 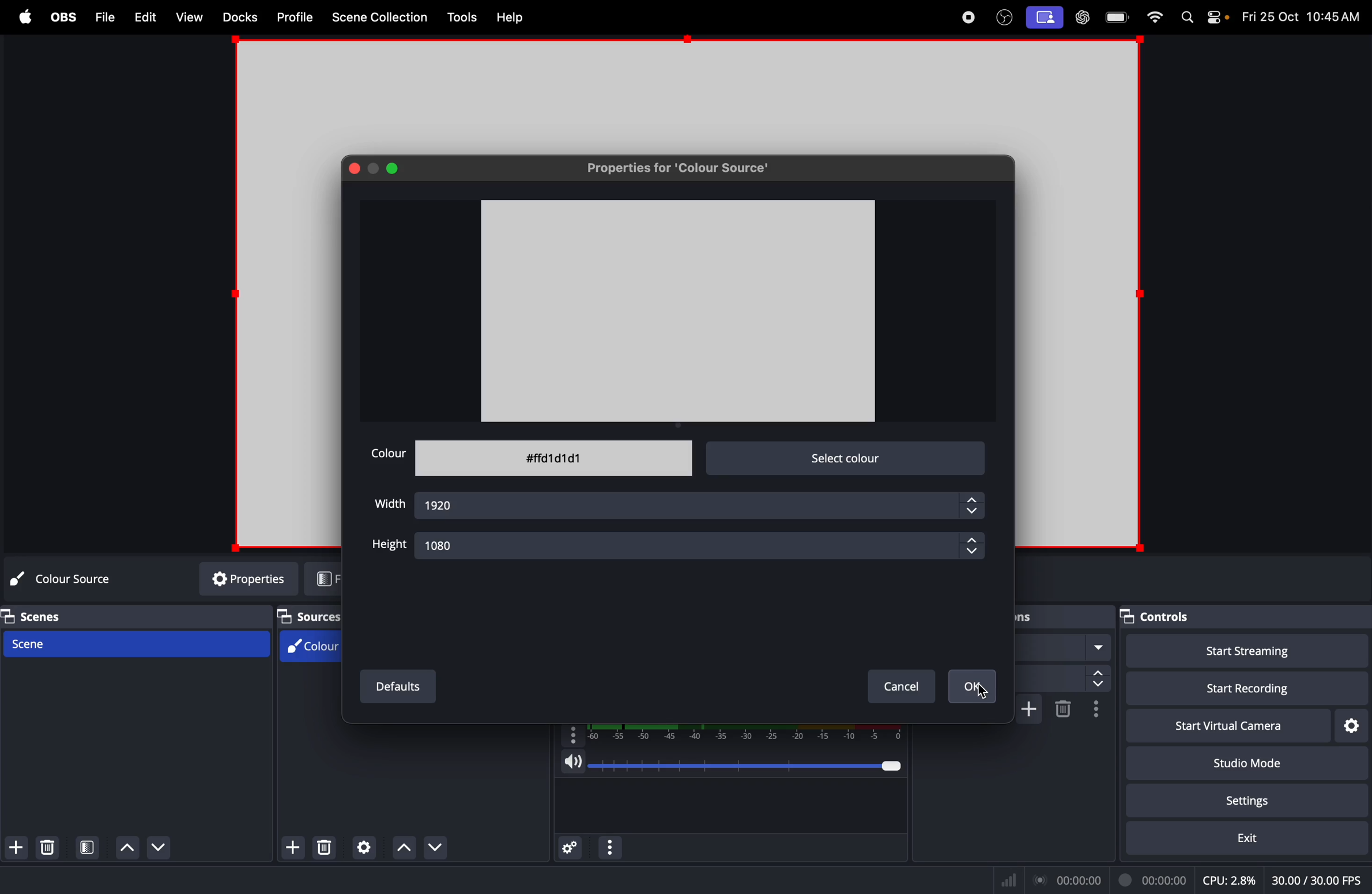 What do you see at coordinates (1156, 17) in the screenshot?
I see `wifi` at bounding box center [1156, 17].